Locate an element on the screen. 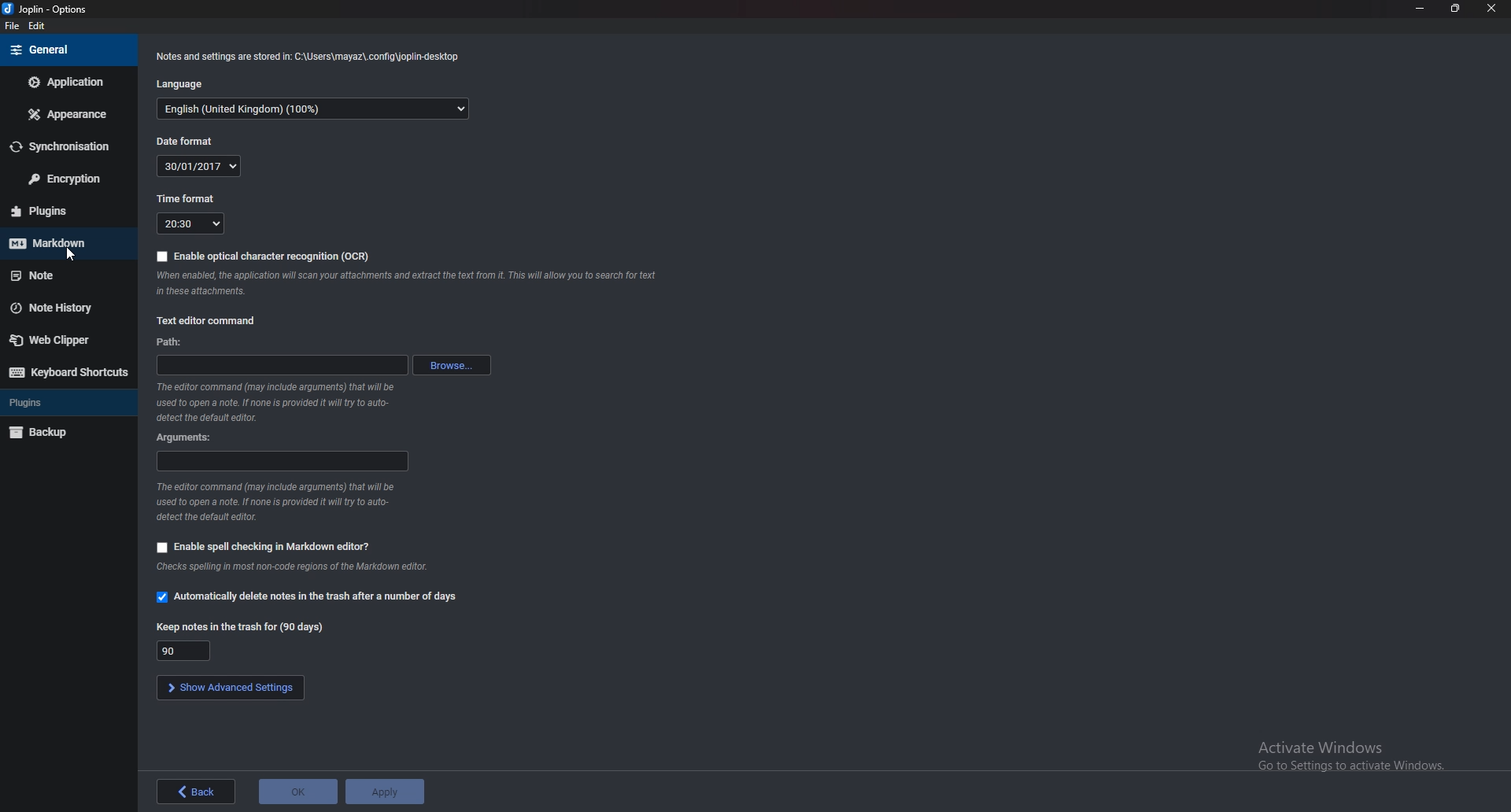 The image size is (1511, 812). Plugins is located at coordinates (60, 212).